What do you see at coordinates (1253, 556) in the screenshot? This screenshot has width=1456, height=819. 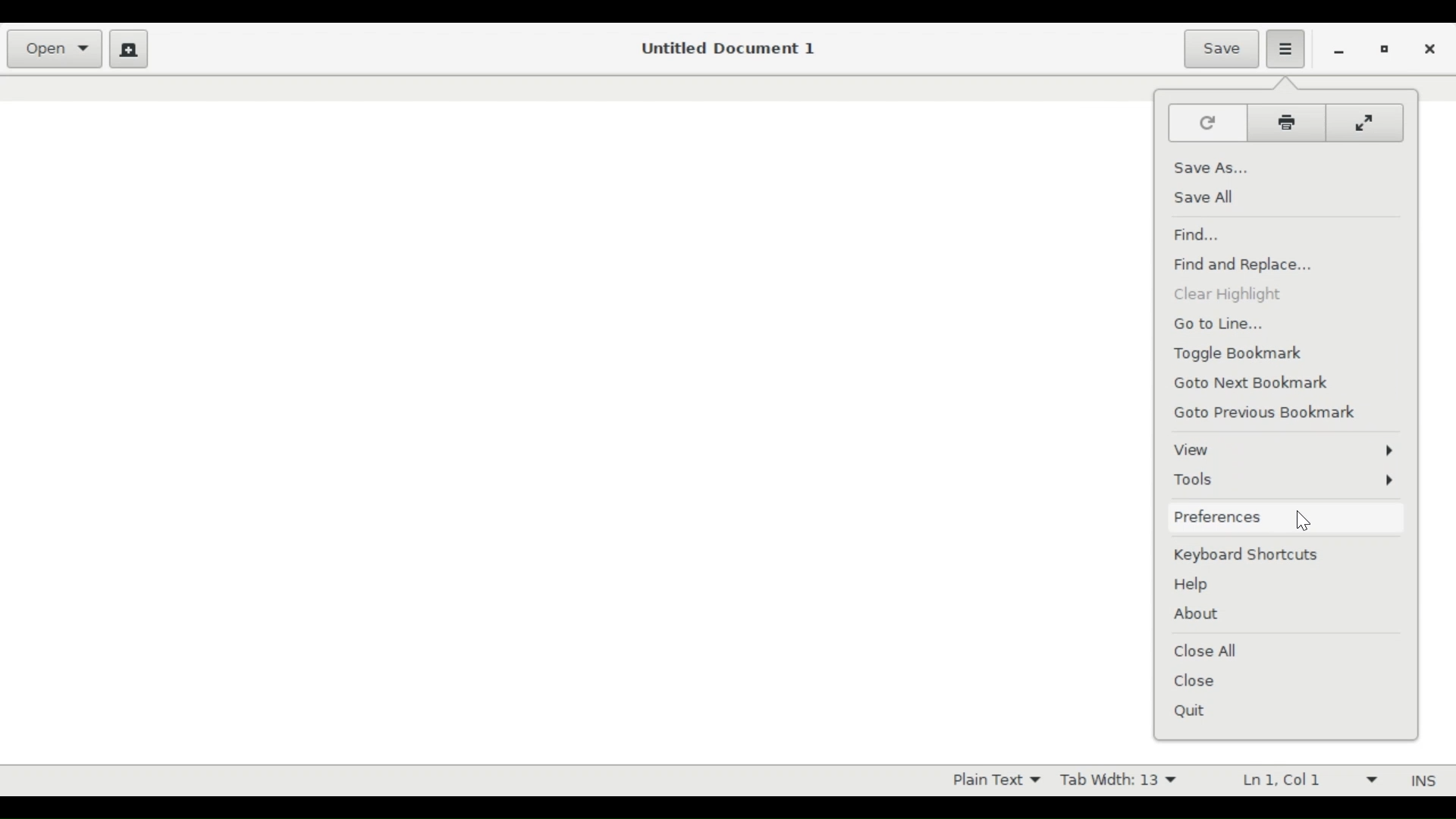 I see `Keyboard shortcuts` at bounding box center [1253, 556].